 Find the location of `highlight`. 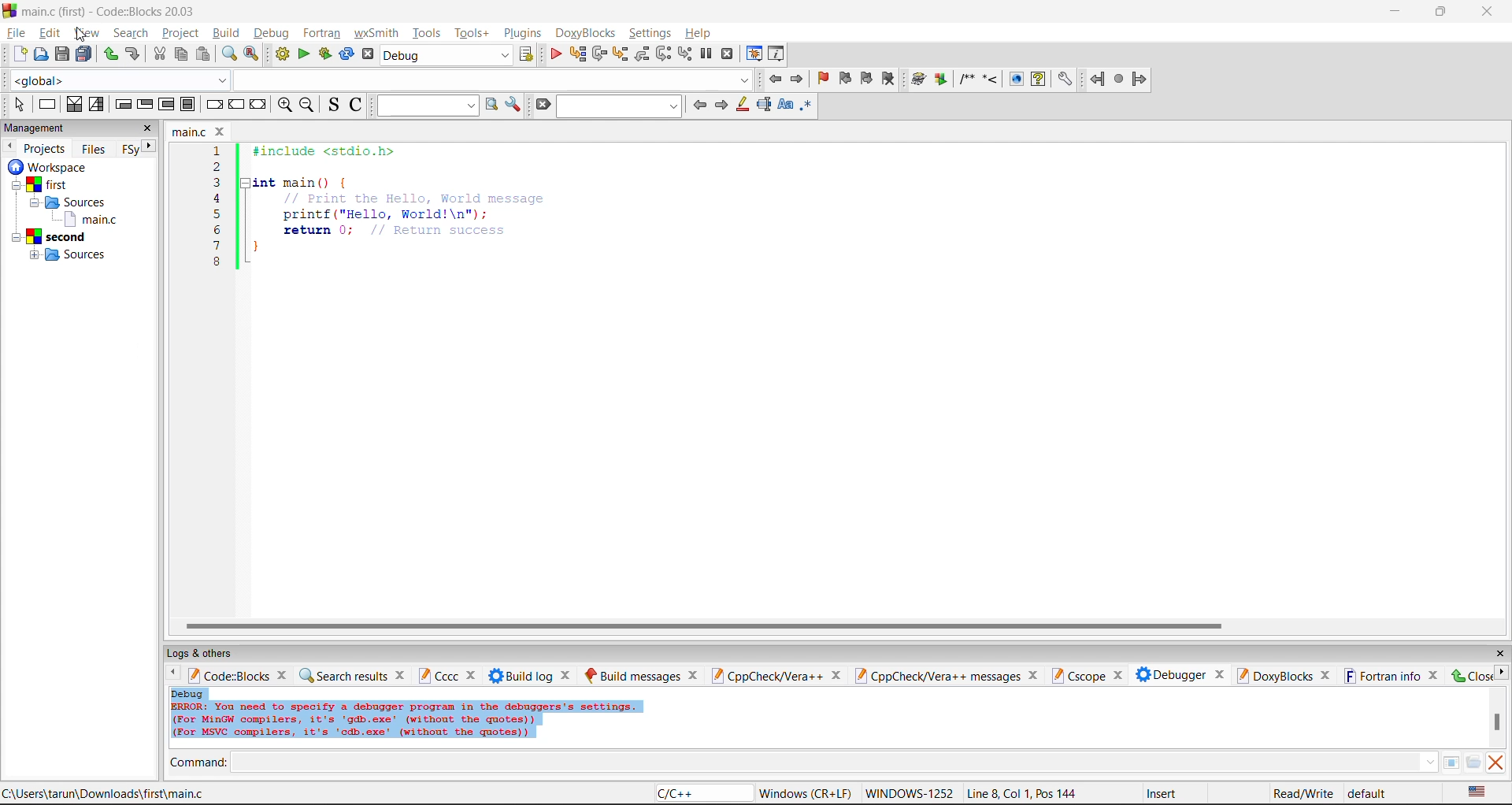

highlight is located at coordinates (743, 106).